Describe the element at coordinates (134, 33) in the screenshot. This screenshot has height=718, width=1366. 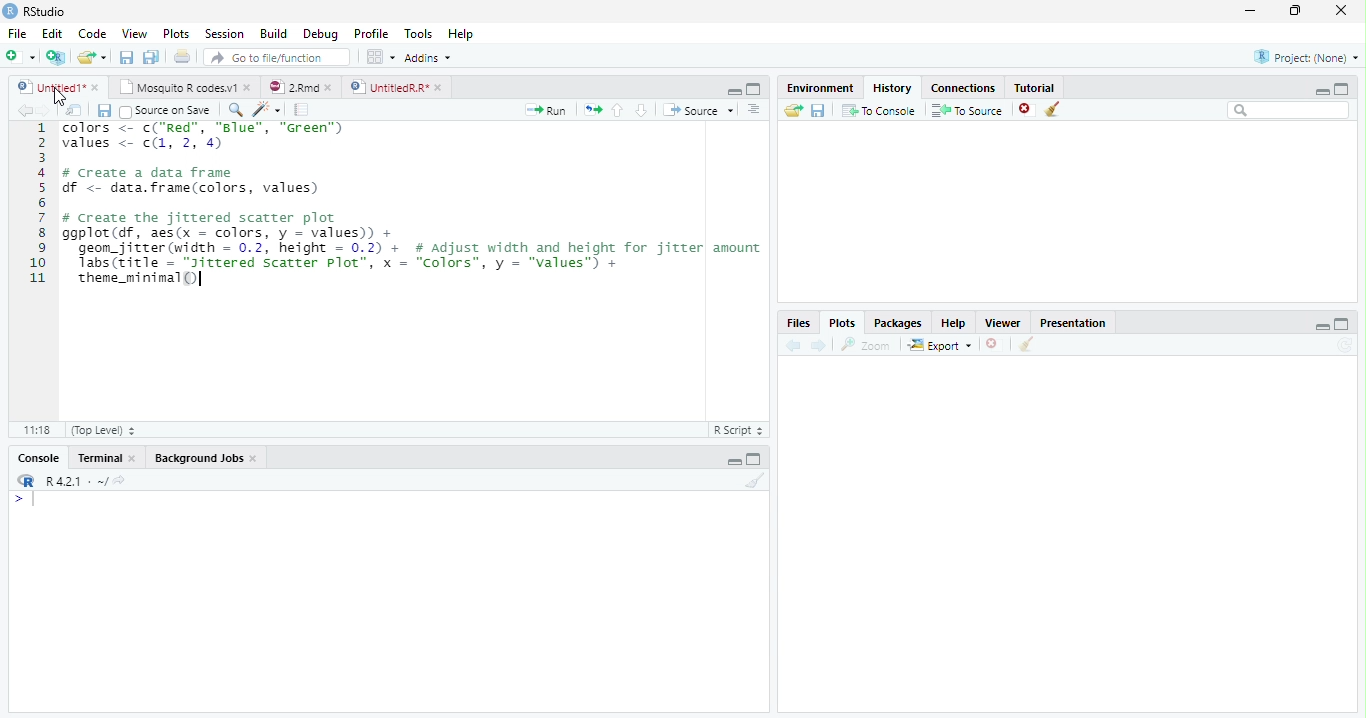
I see `View` at that location.